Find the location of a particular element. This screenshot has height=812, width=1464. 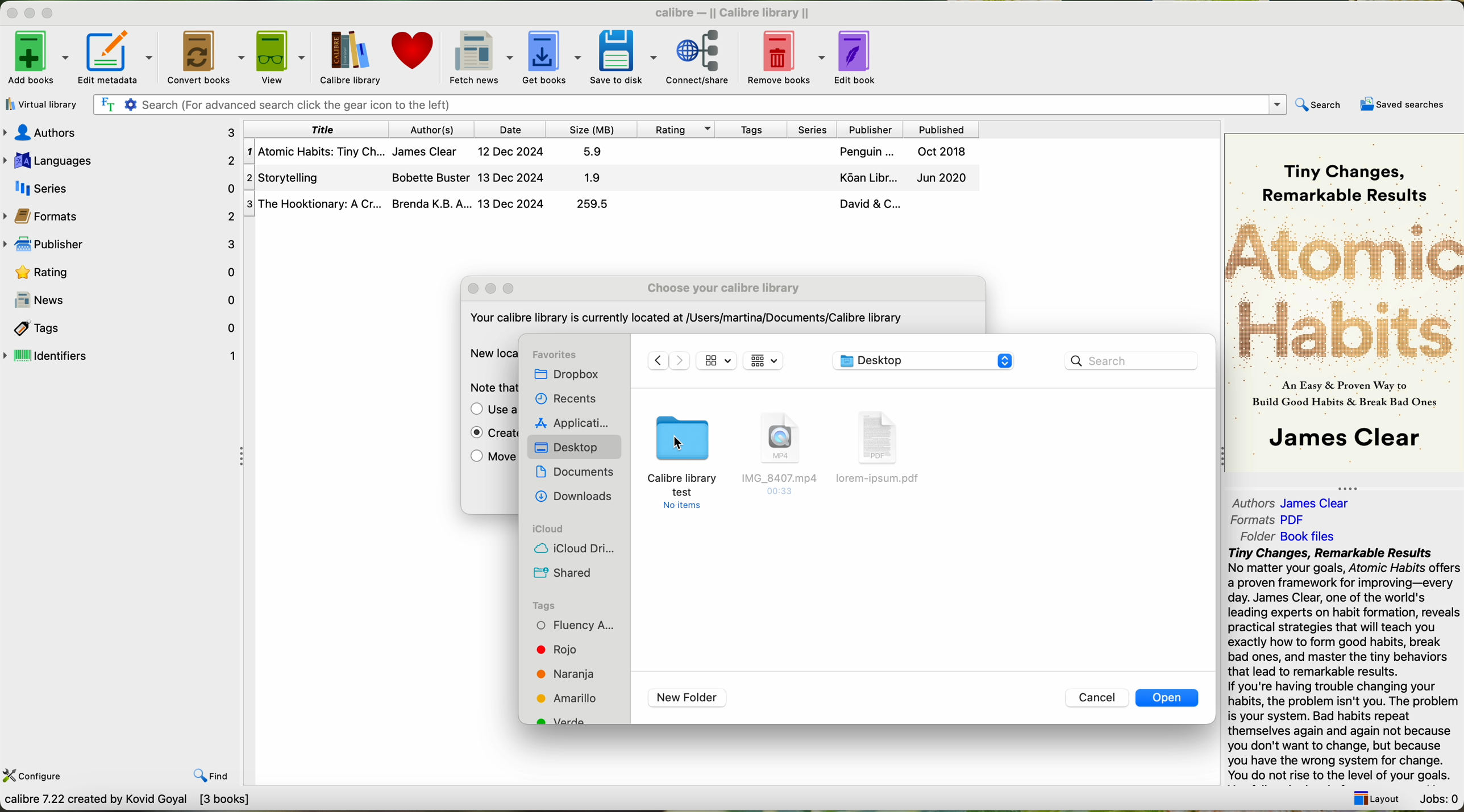

news is located at coordinates (121, 300).